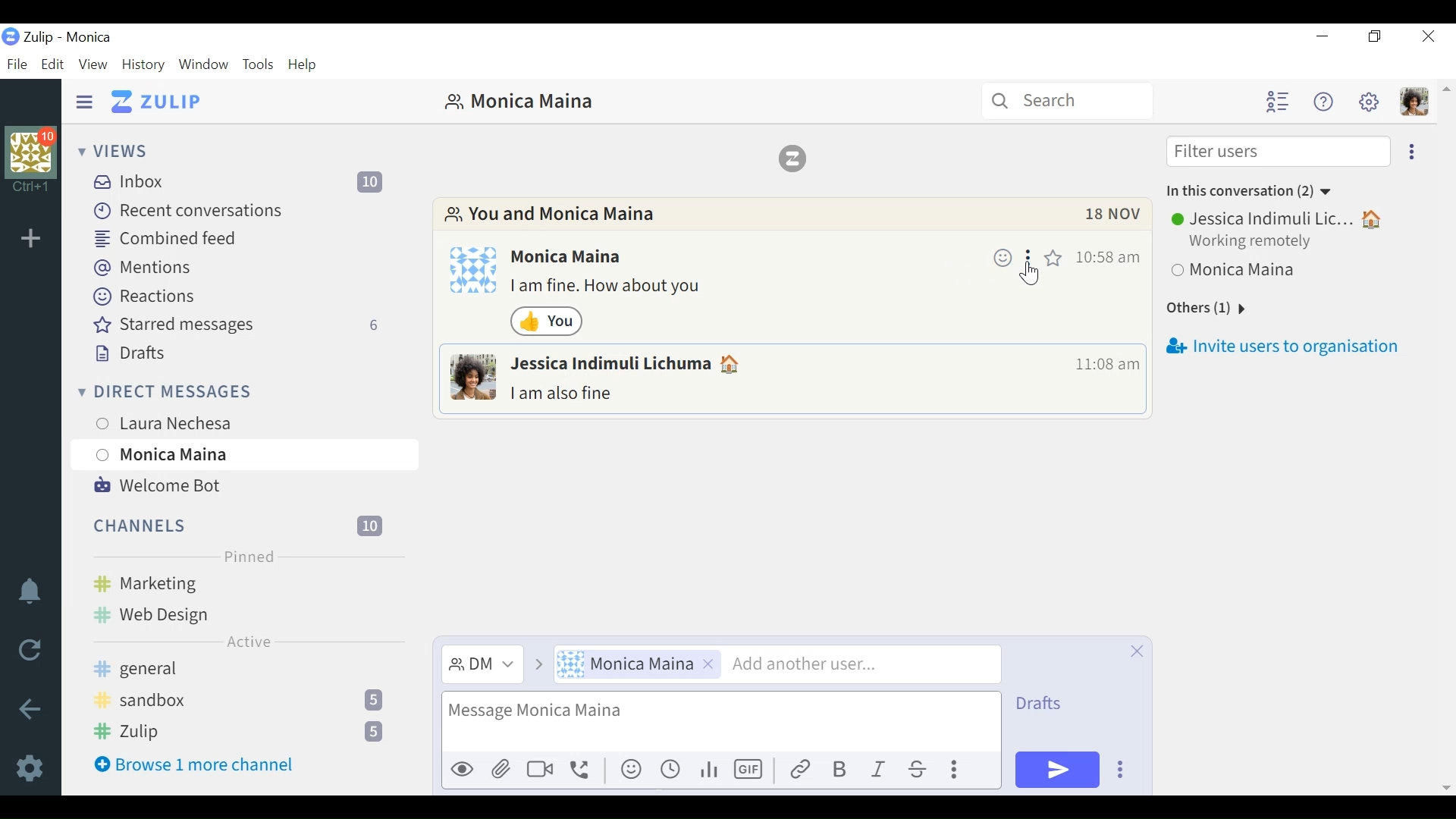 The image size is (1456, 819). I want to click on File , so click(18, 64).